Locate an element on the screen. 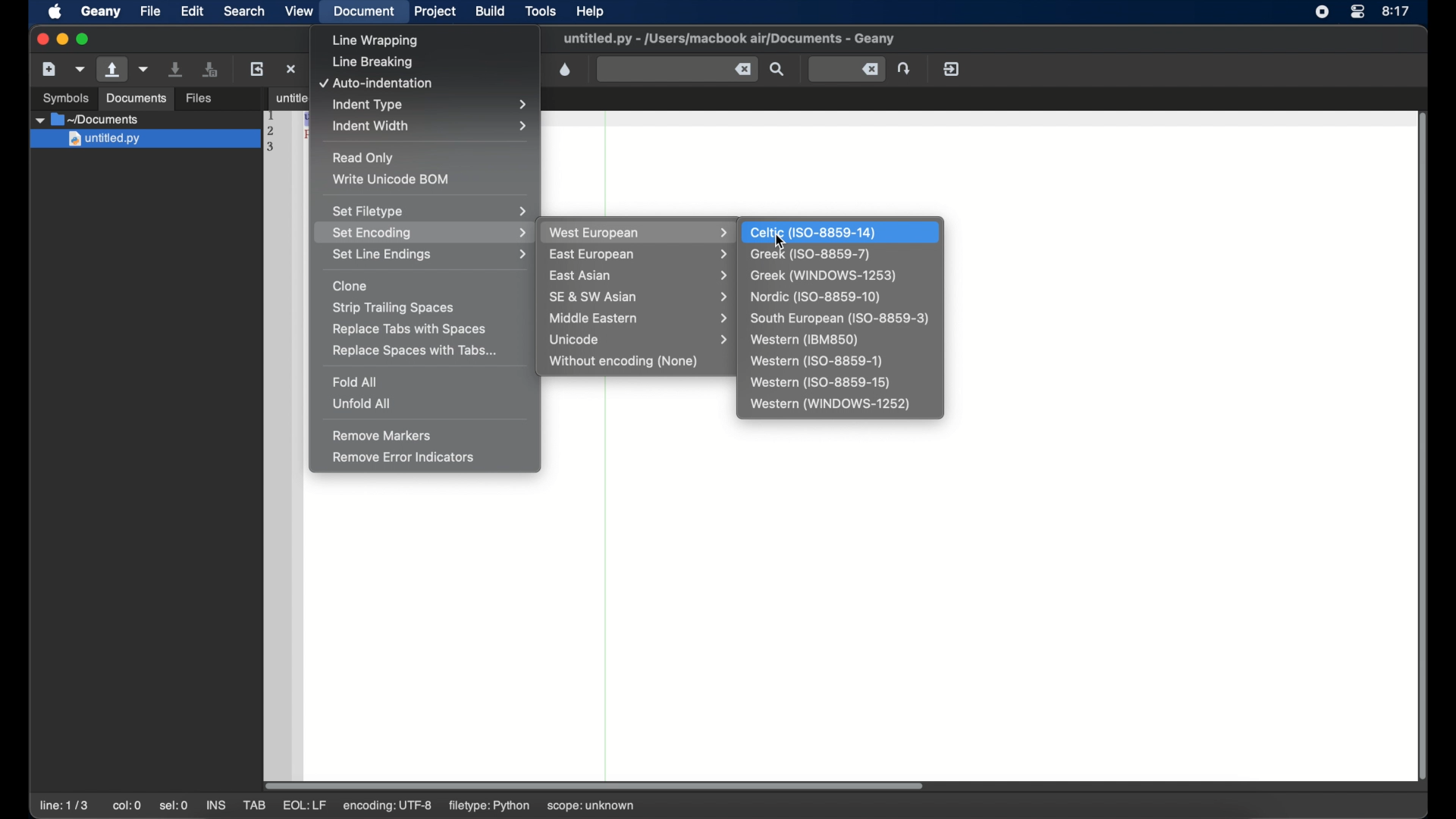  auto indentation is located at coordinates (377, 84).